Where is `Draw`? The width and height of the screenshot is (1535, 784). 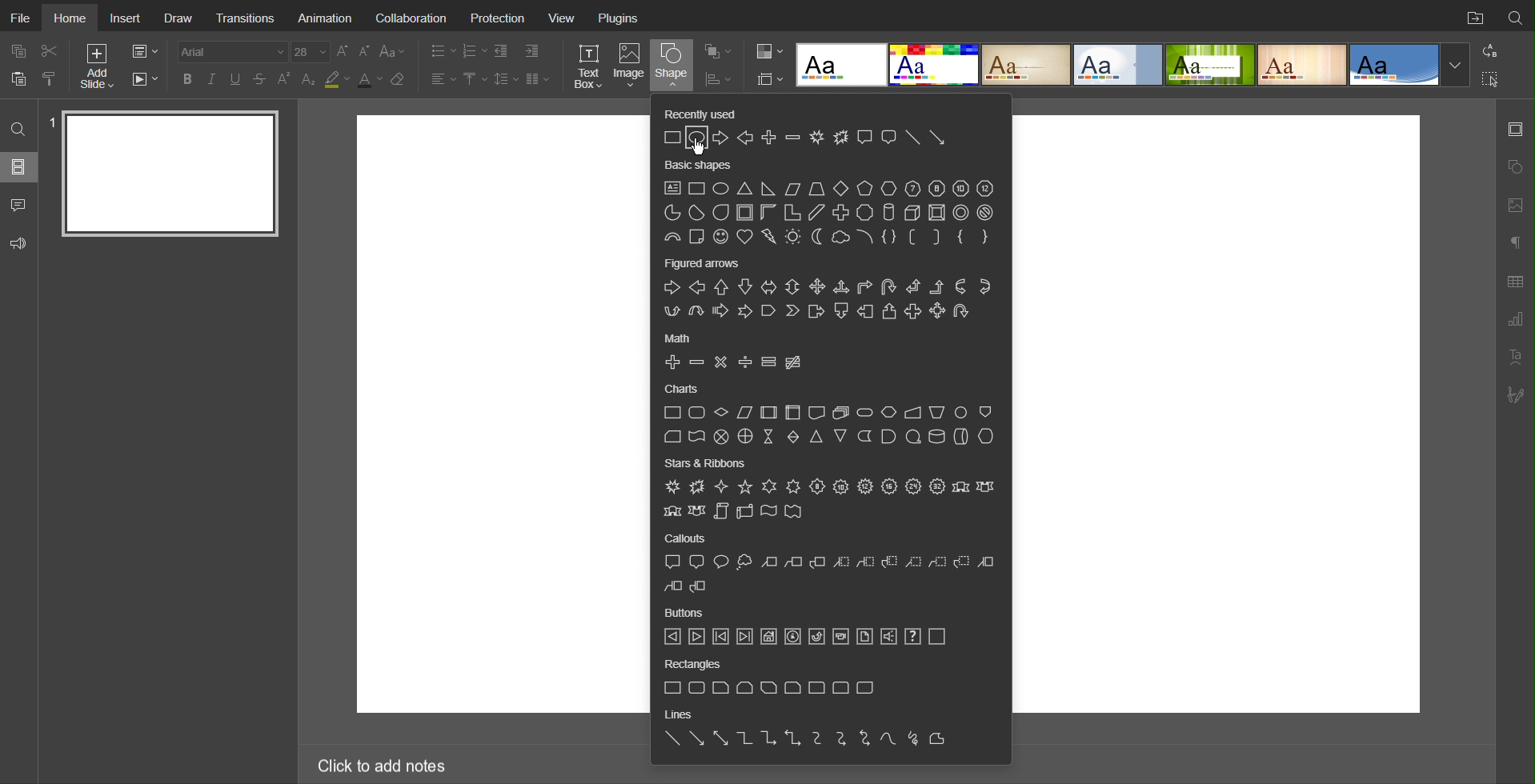
Draw is located at coordinates (178, 18).